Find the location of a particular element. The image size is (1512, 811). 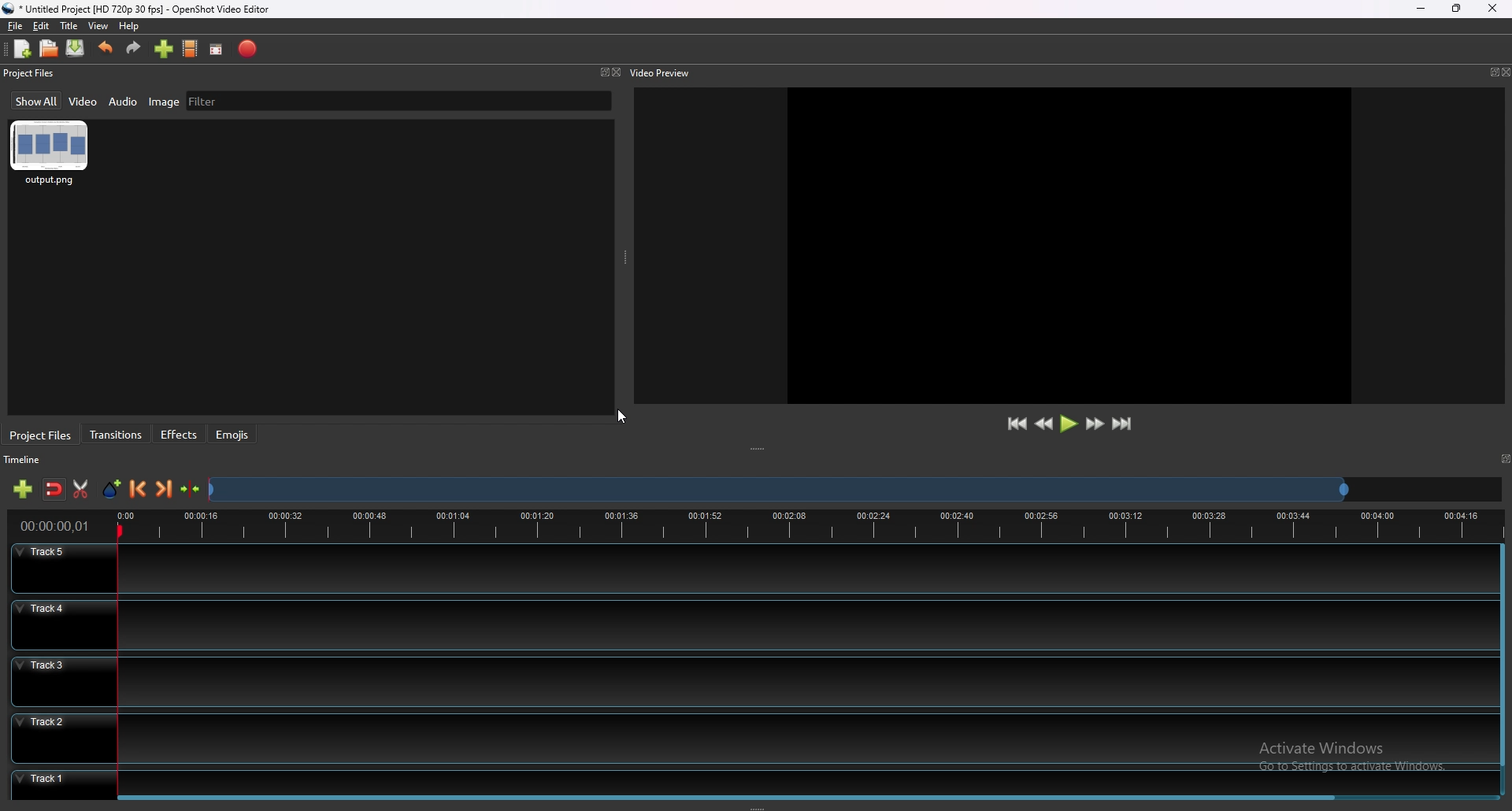

help is located at coordinates (128, 27).